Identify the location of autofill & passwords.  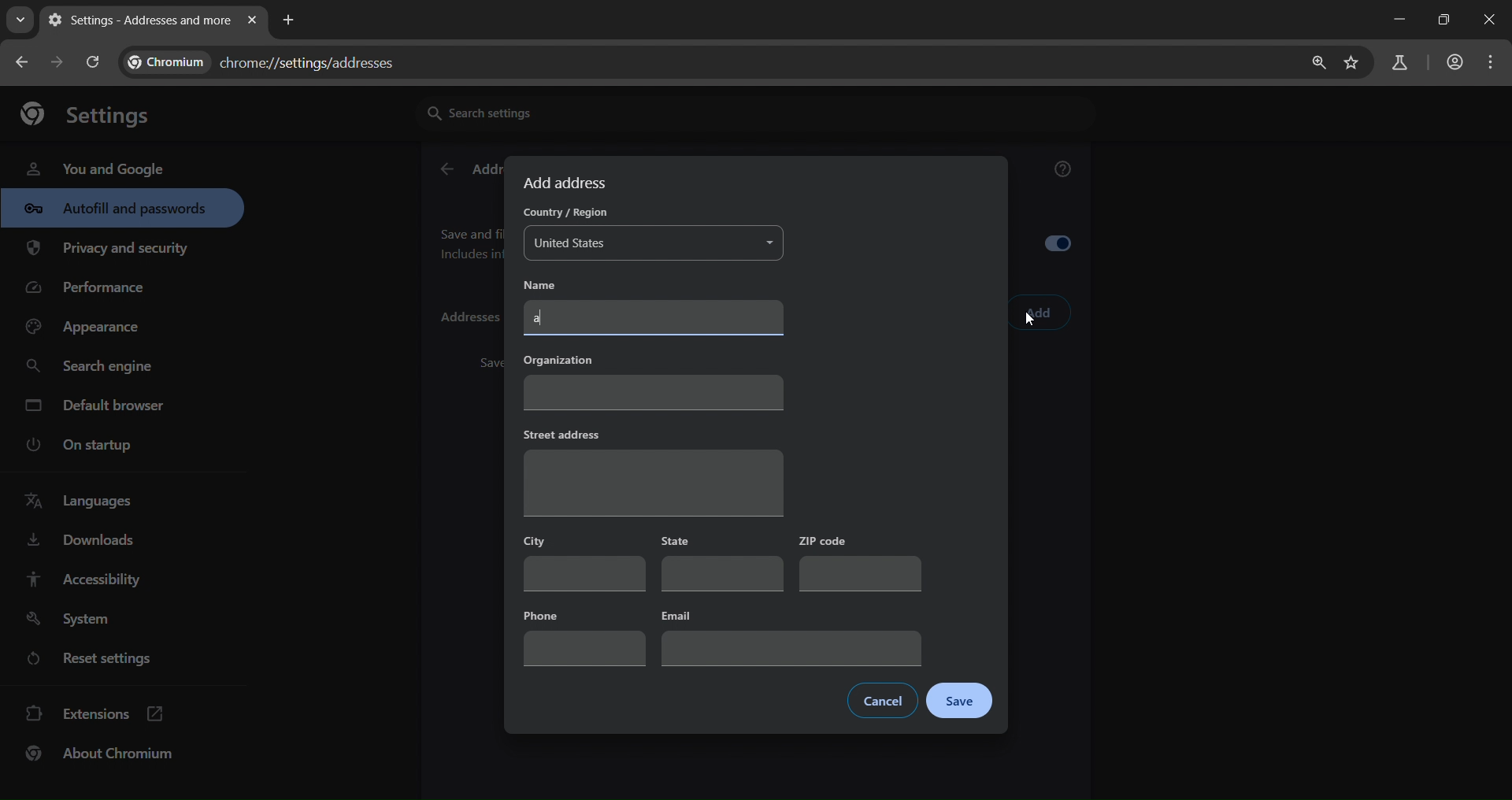
(122, 208).